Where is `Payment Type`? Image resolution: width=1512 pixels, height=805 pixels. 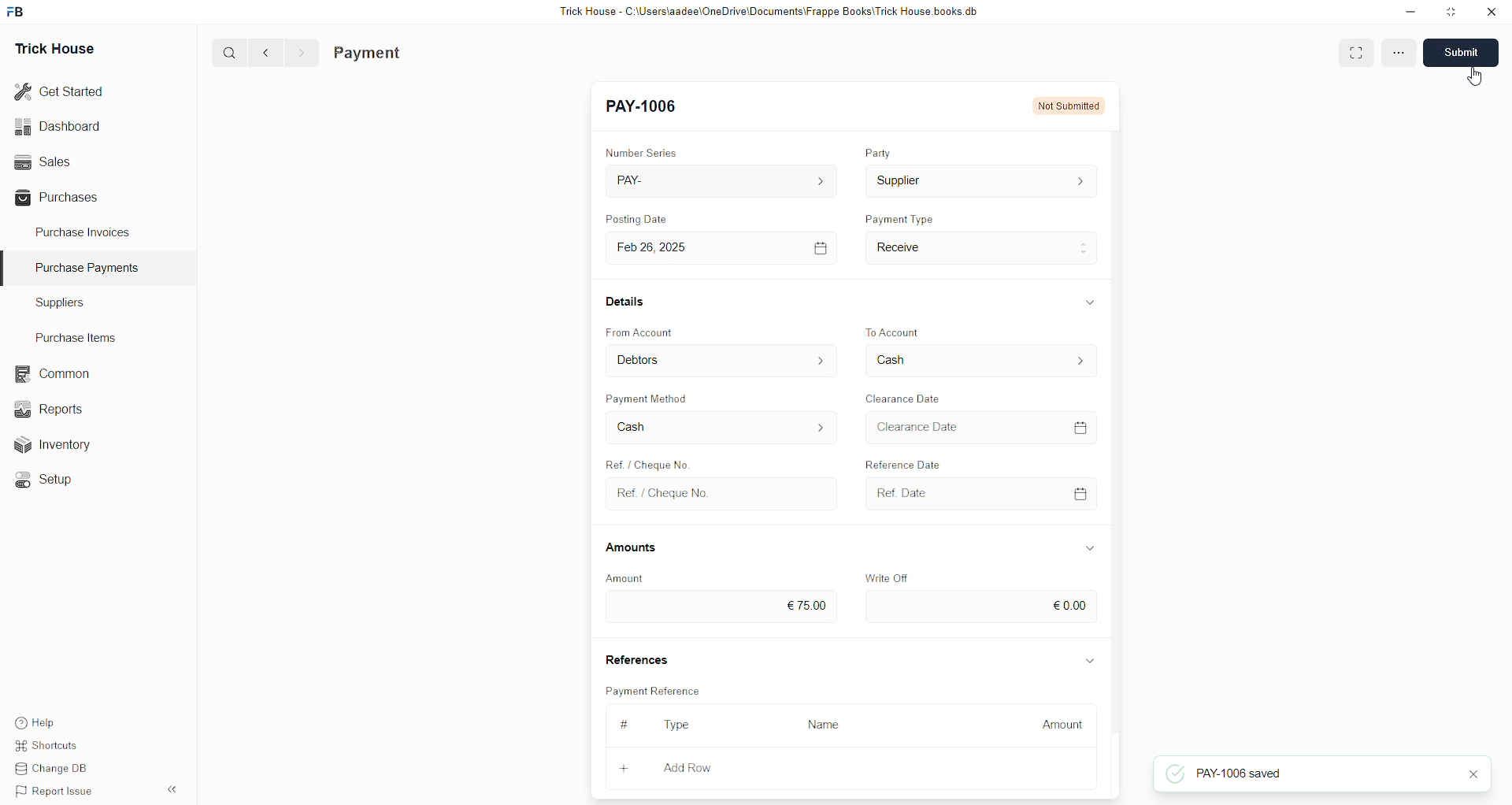
Payment Type is located at coordinates (900, 217).